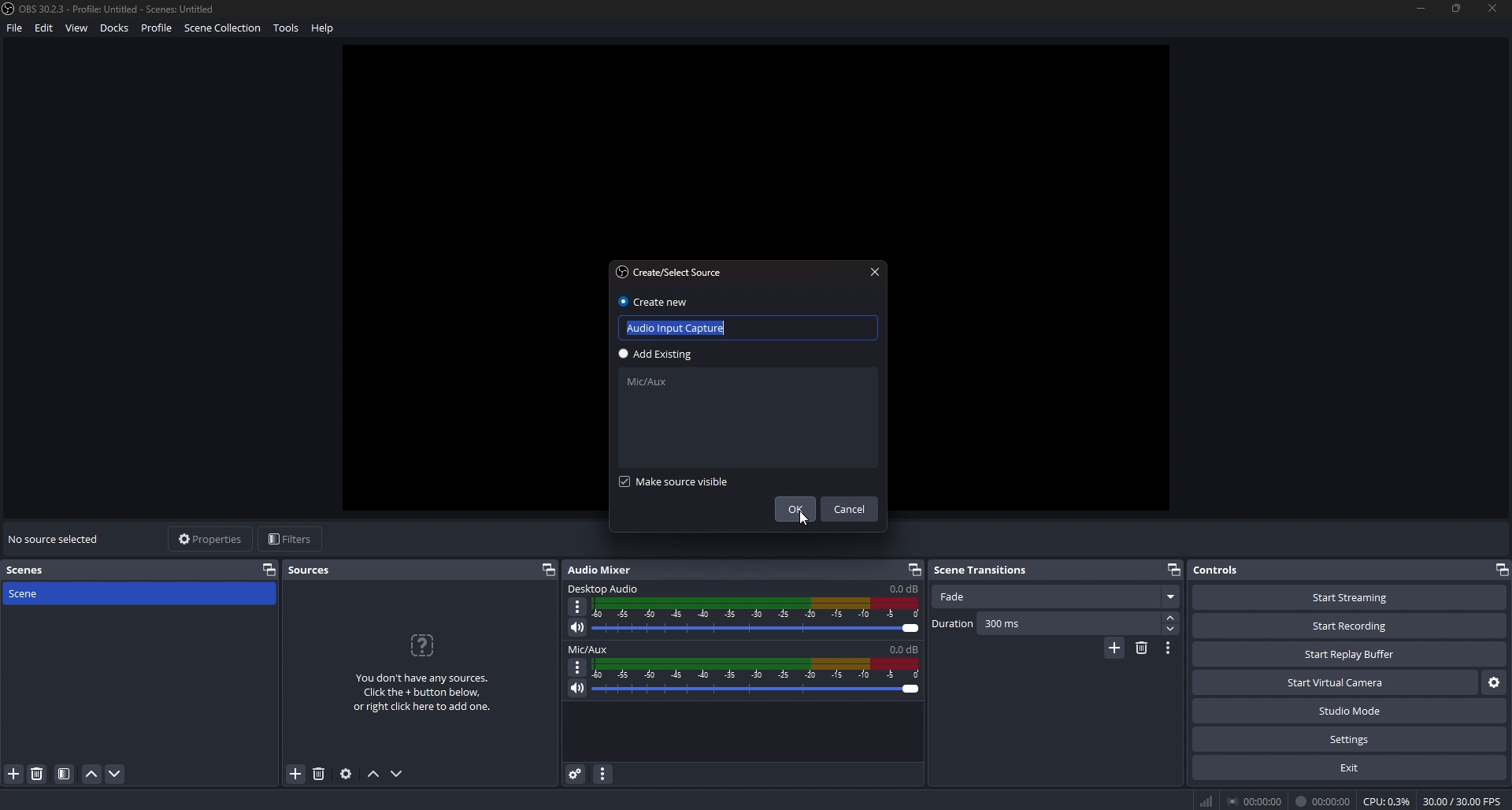  I want to click on close, so click(875, 273).